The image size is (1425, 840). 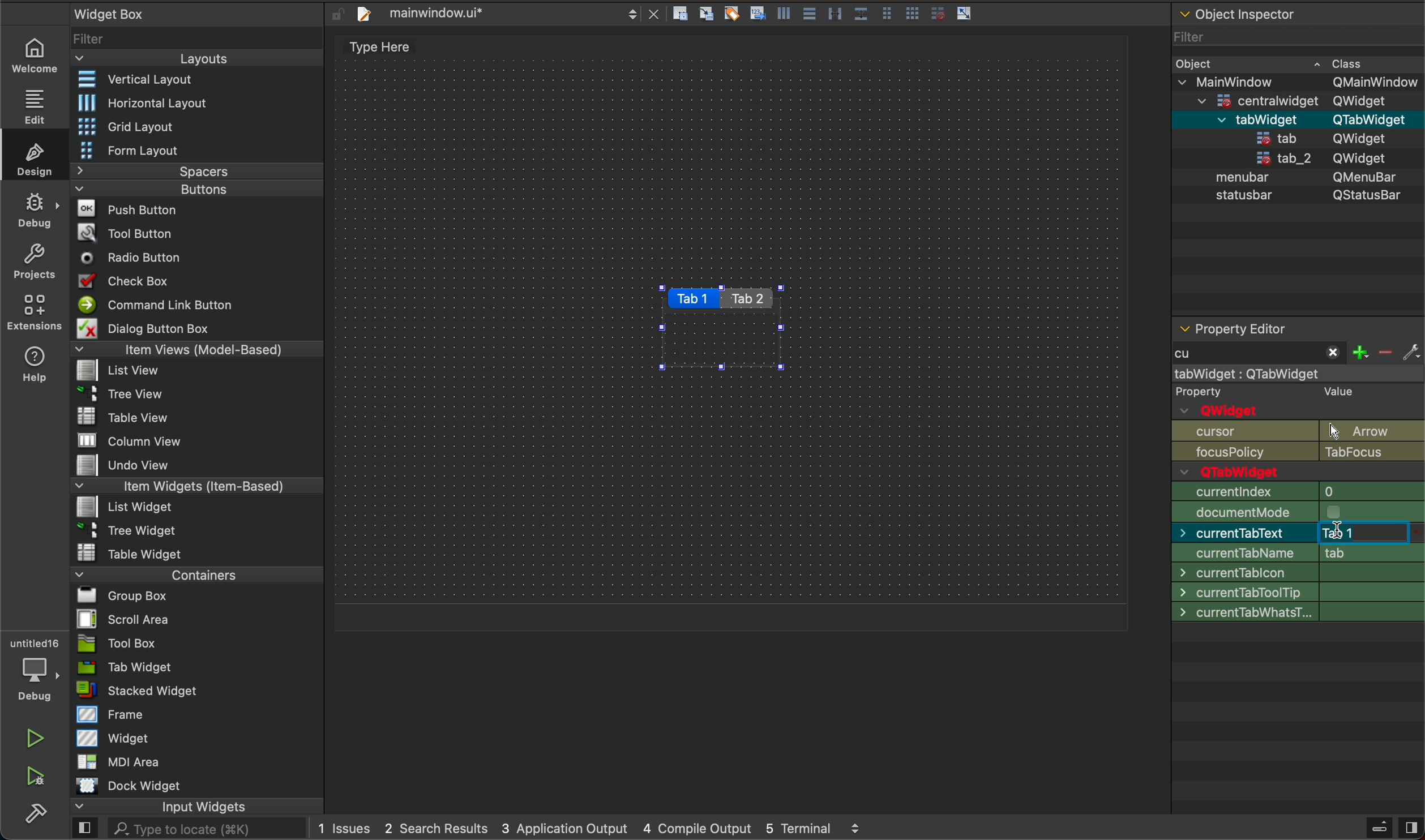 What do you see at coordinates (1299, 532) in the screenshot?
I see `min size` at bounding box center [1299, 532].